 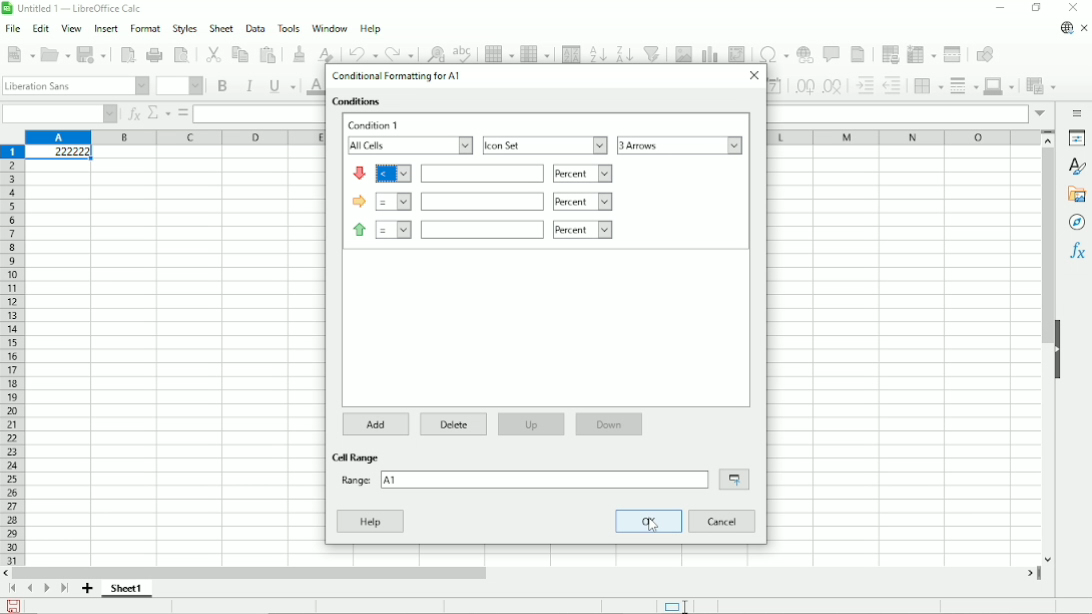 I want to click on Sidebar settings, so click(x=1078, y=112).